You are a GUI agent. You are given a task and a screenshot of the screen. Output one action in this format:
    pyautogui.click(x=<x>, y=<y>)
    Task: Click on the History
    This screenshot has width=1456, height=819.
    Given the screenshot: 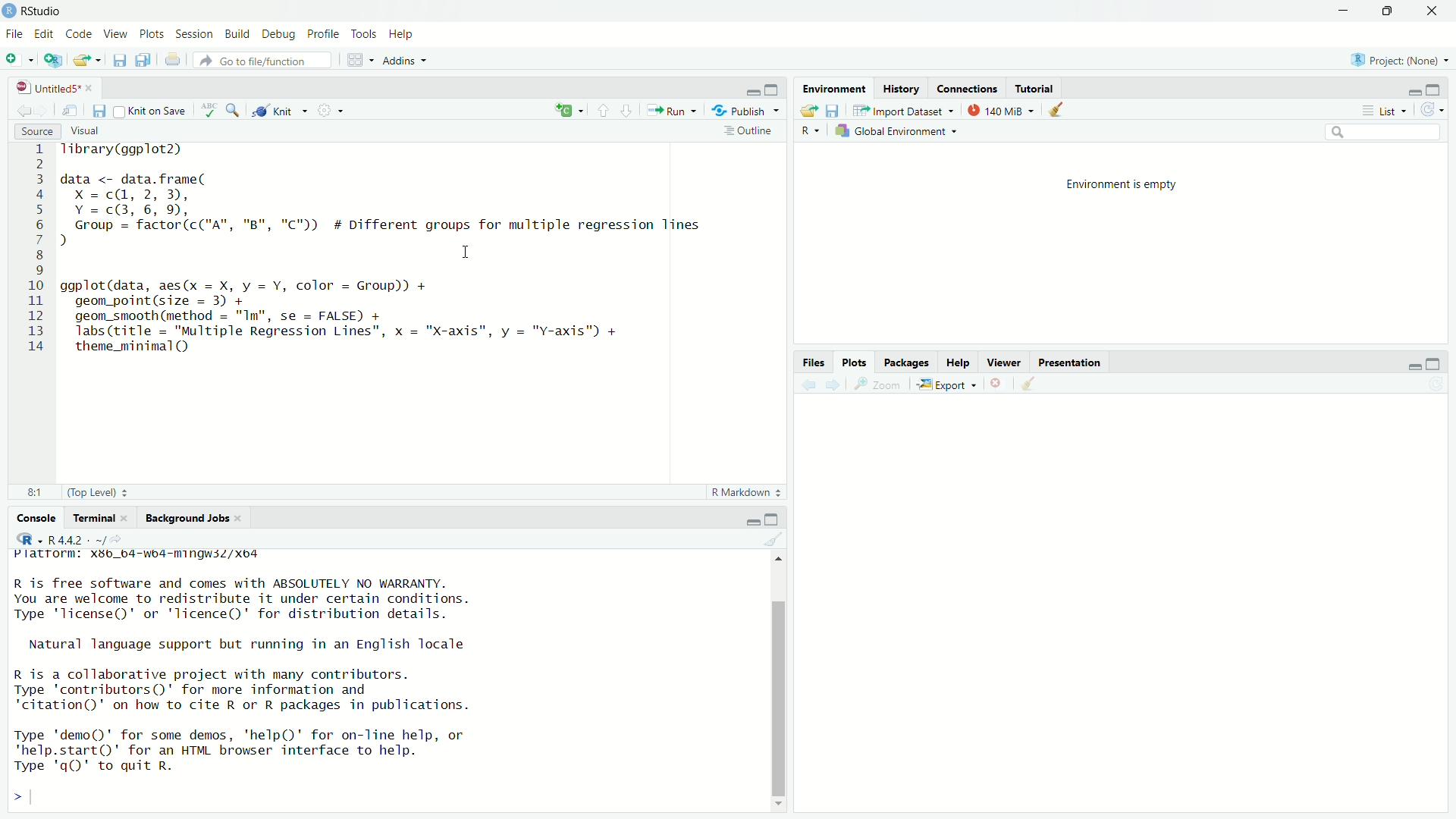 What is the action you would take?
    pyautogui.click(x=900, y=90)
    